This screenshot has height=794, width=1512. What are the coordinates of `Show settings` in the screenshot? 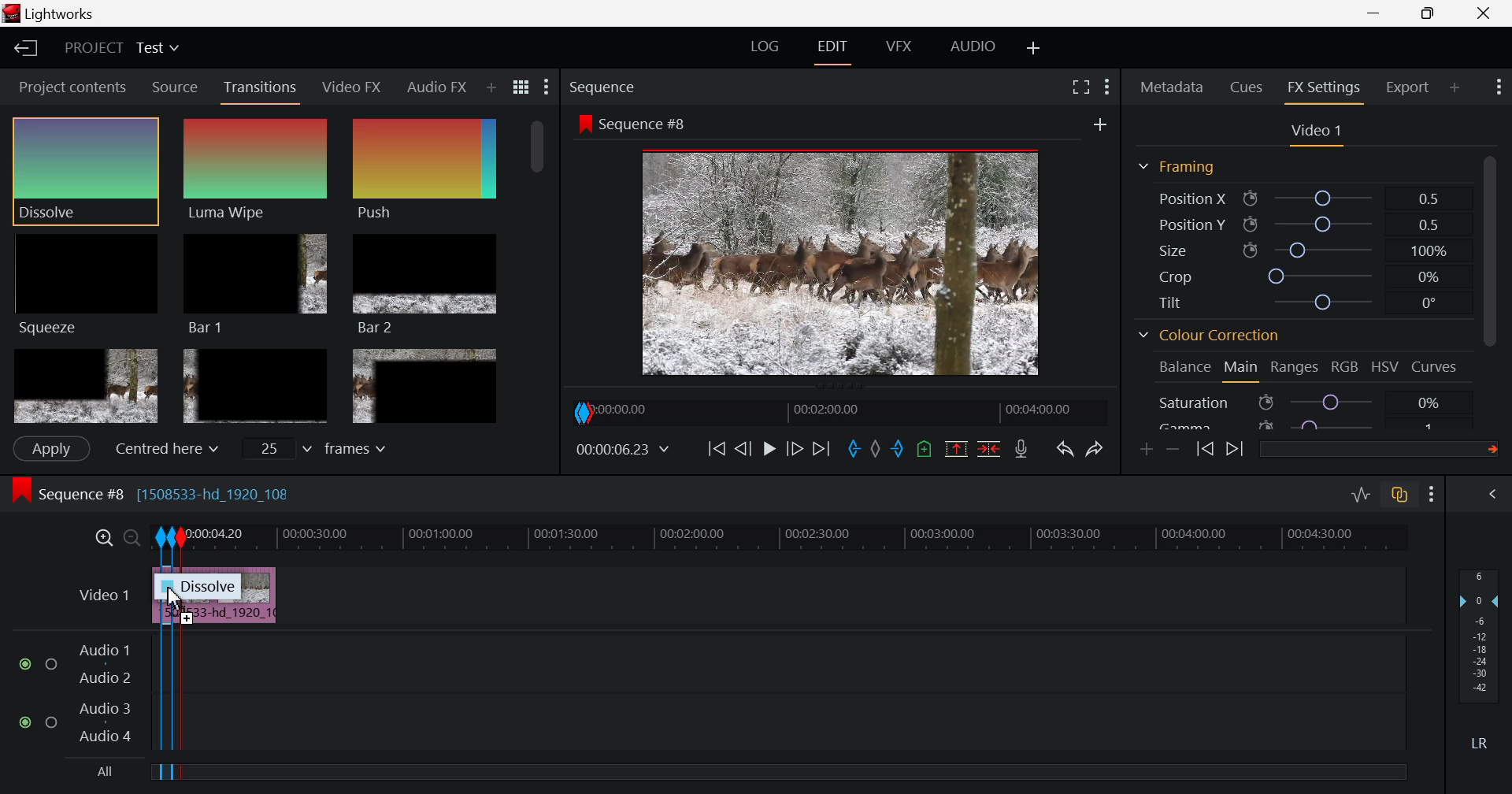 It's located at (1107, 87).